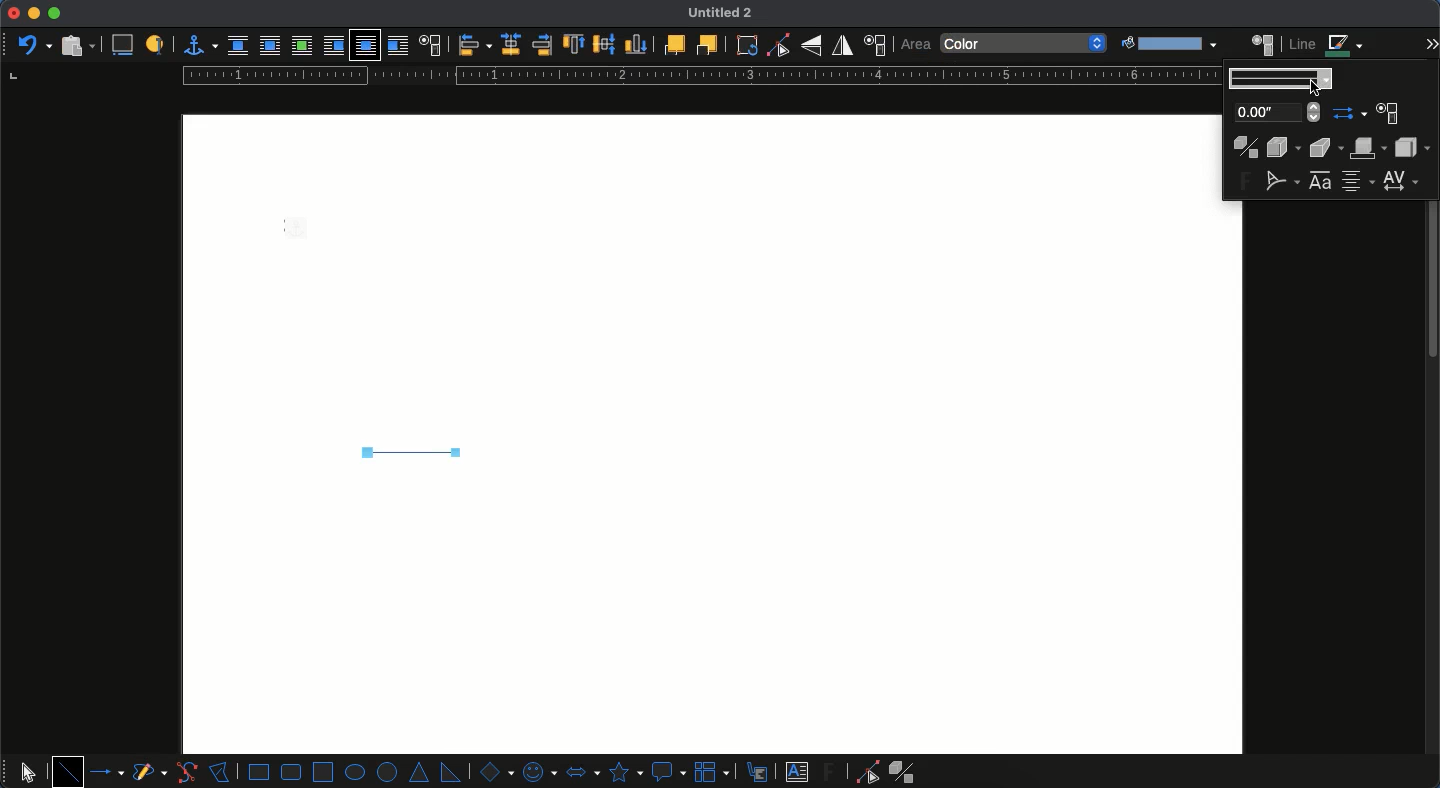  Describe the element at coordinates (1244, 148) in the screenshot. I see `Toggle extrusion` at that location.